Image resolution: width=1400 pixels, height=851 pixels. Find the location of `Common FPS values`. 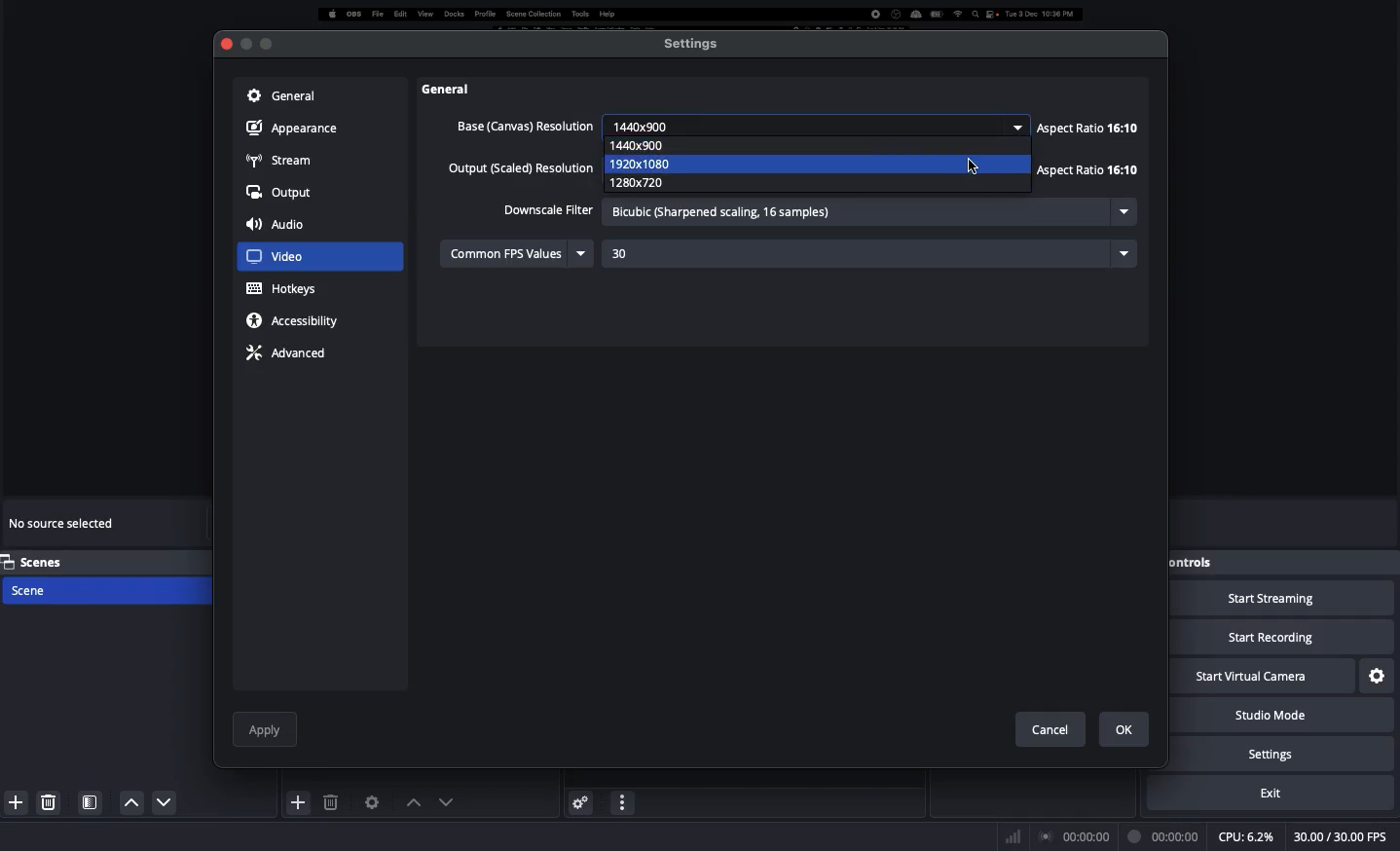

Common FPS values is located at coordinates (519, 252).